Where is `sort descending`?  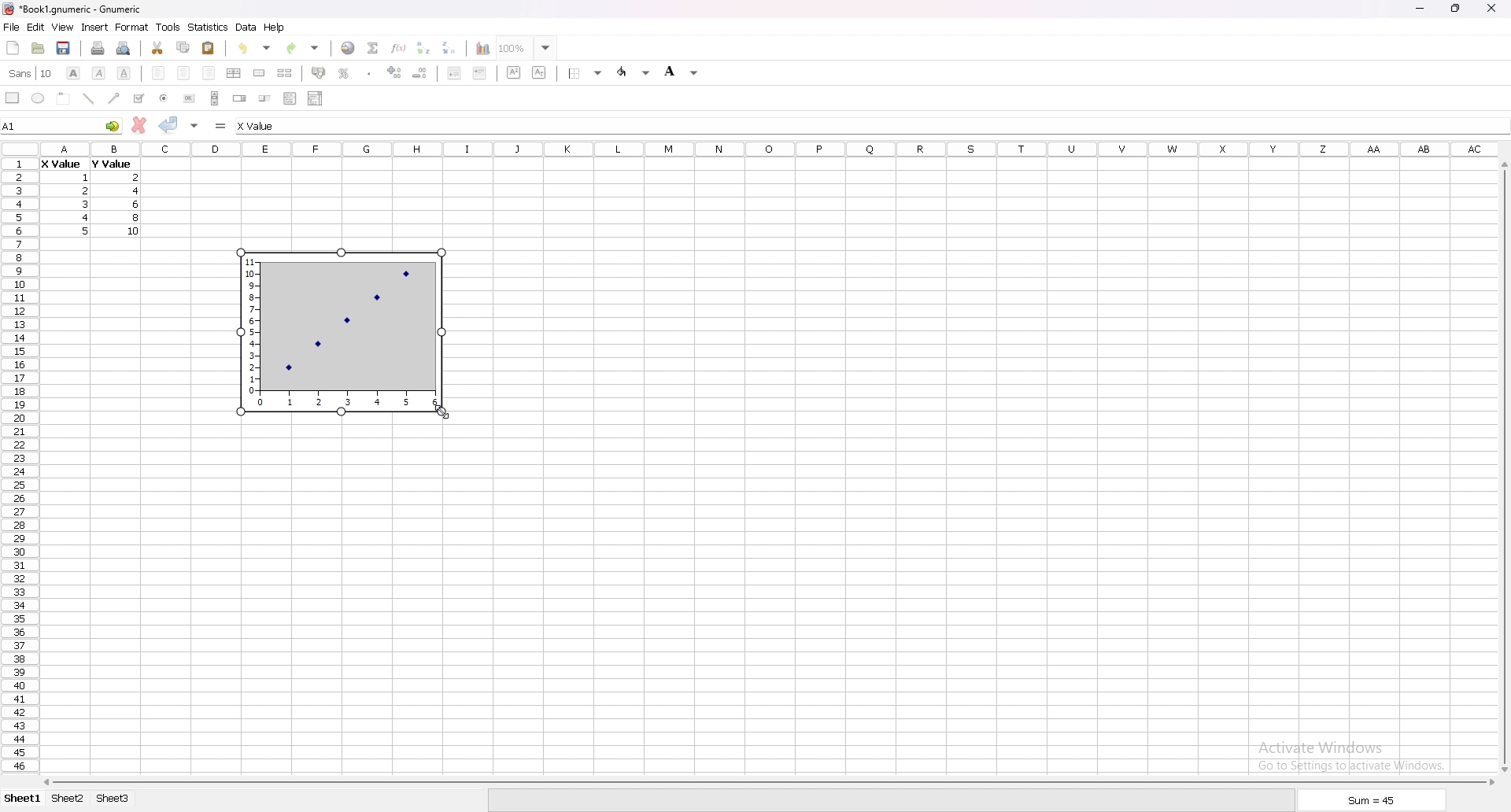
sort descending is located at coordinates (449, 47).